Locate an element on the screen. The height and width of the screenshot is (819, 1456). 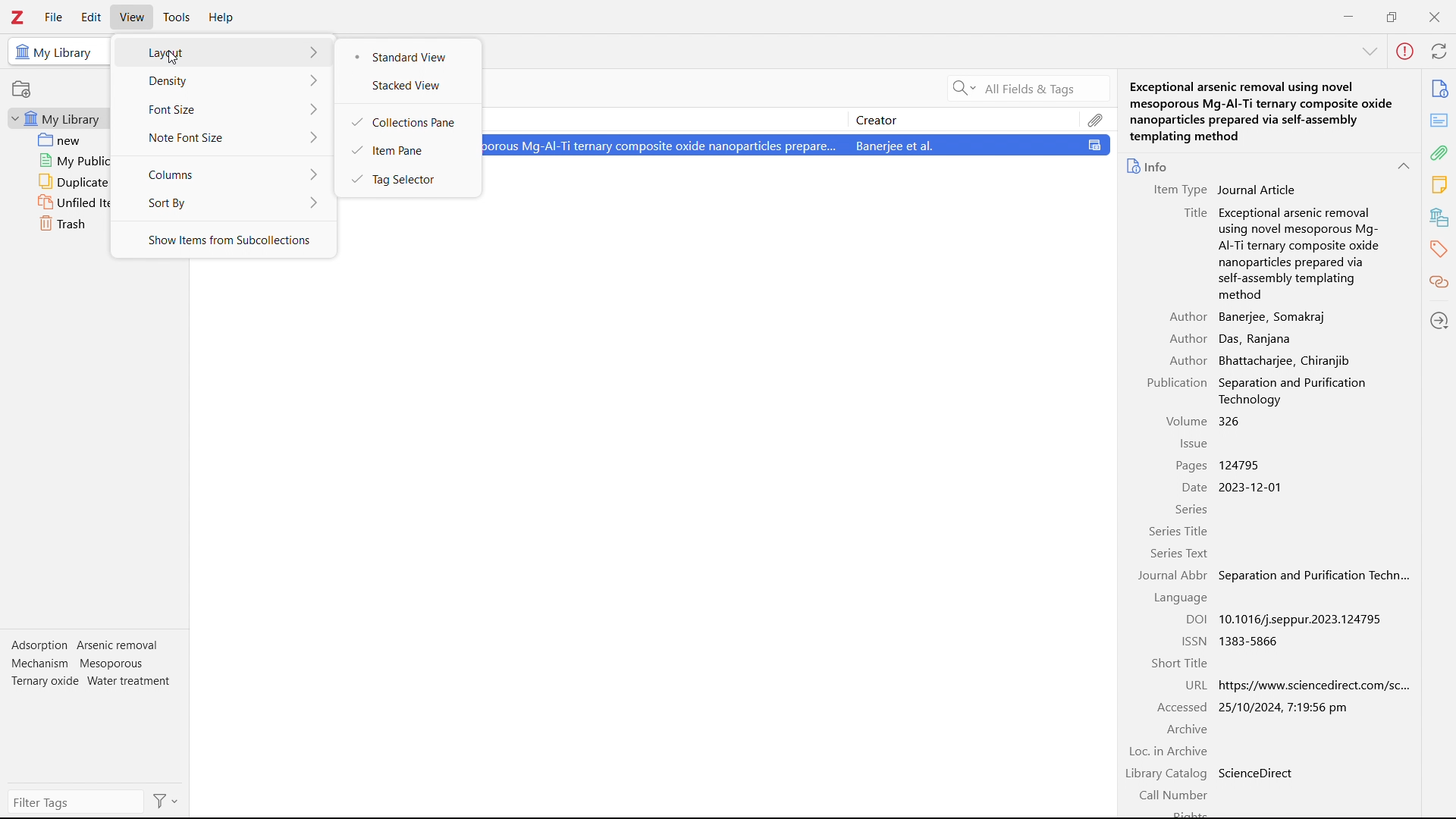
density is located at coordinates (224, 82).